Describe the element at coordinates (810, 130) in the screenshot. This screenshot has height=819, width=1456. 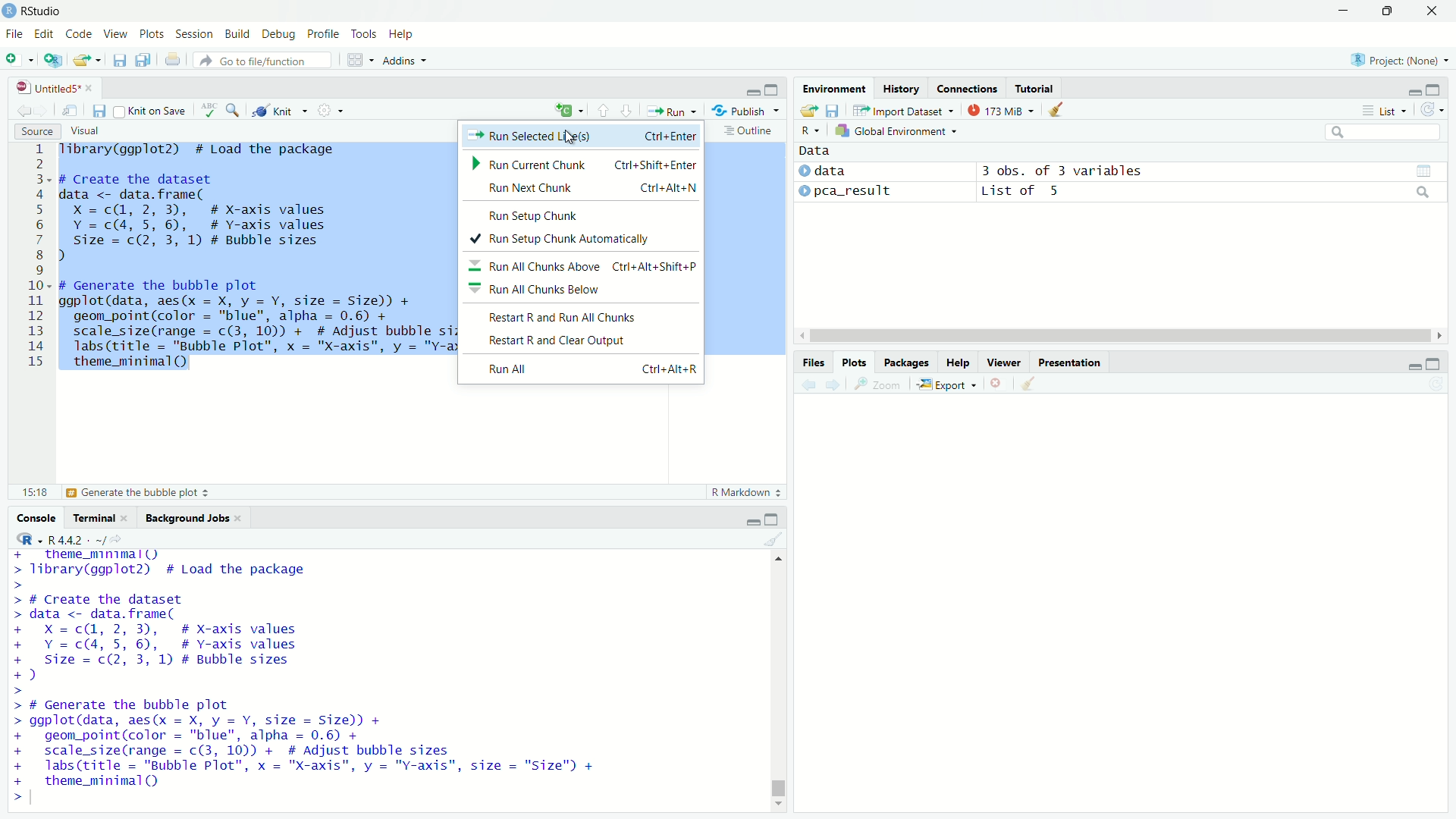
I see `R language` at that location.